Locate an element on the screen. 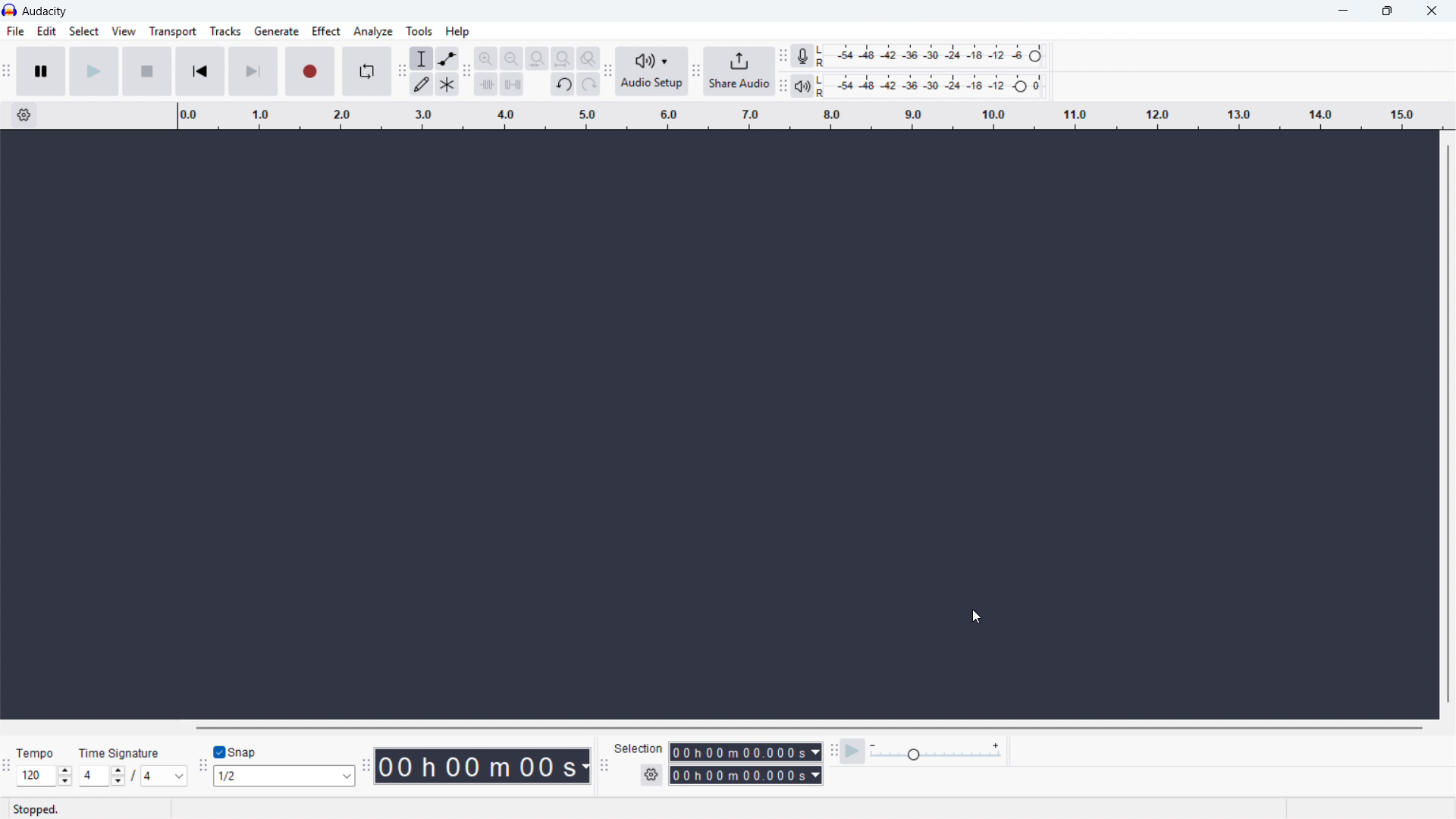 The width and height of the screenshot is (1456, 819). play at speed toolbar is located at coordinates (833, 752).